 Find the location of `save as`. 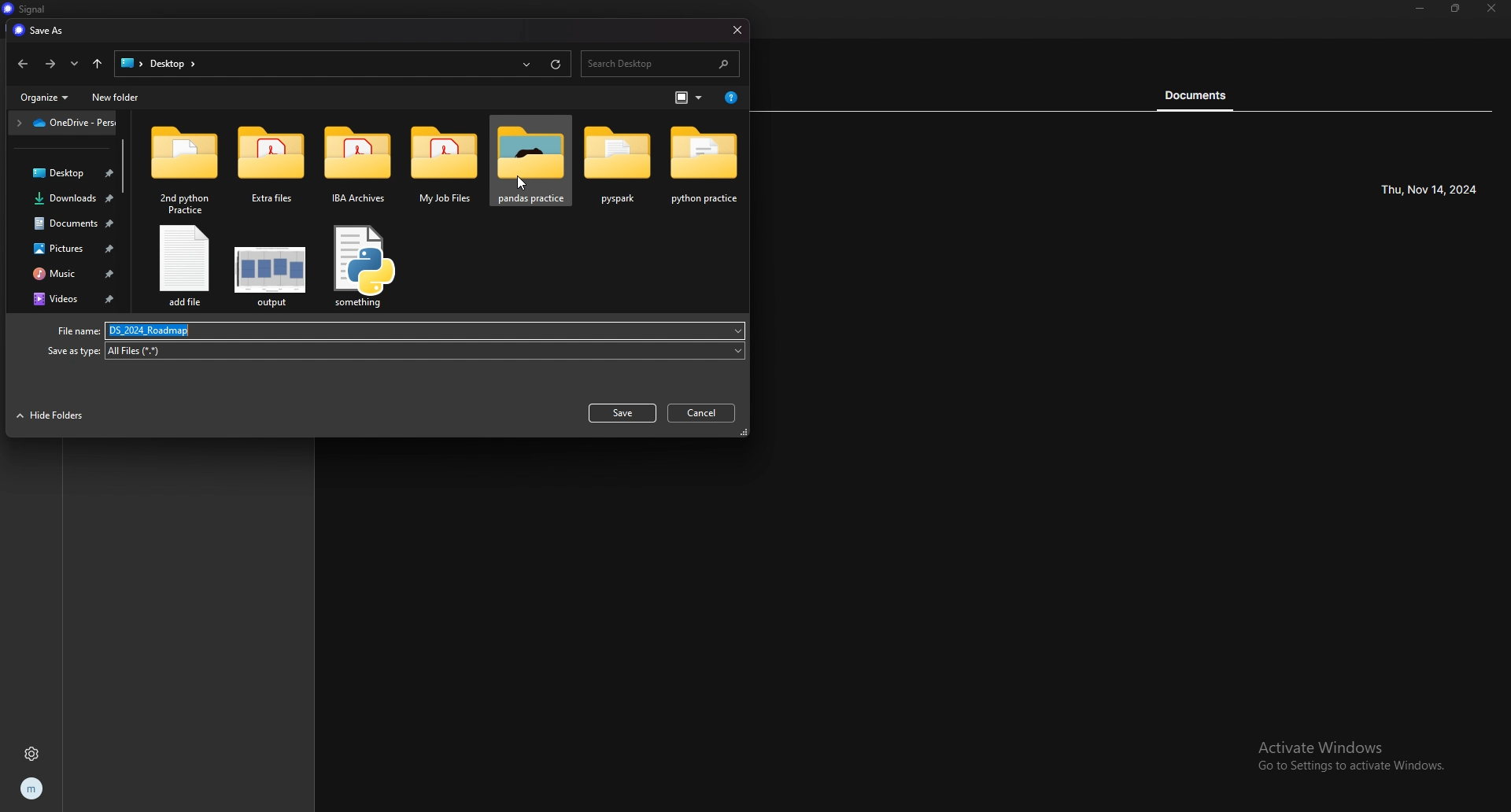

save as is located at coordinates (46, 31).